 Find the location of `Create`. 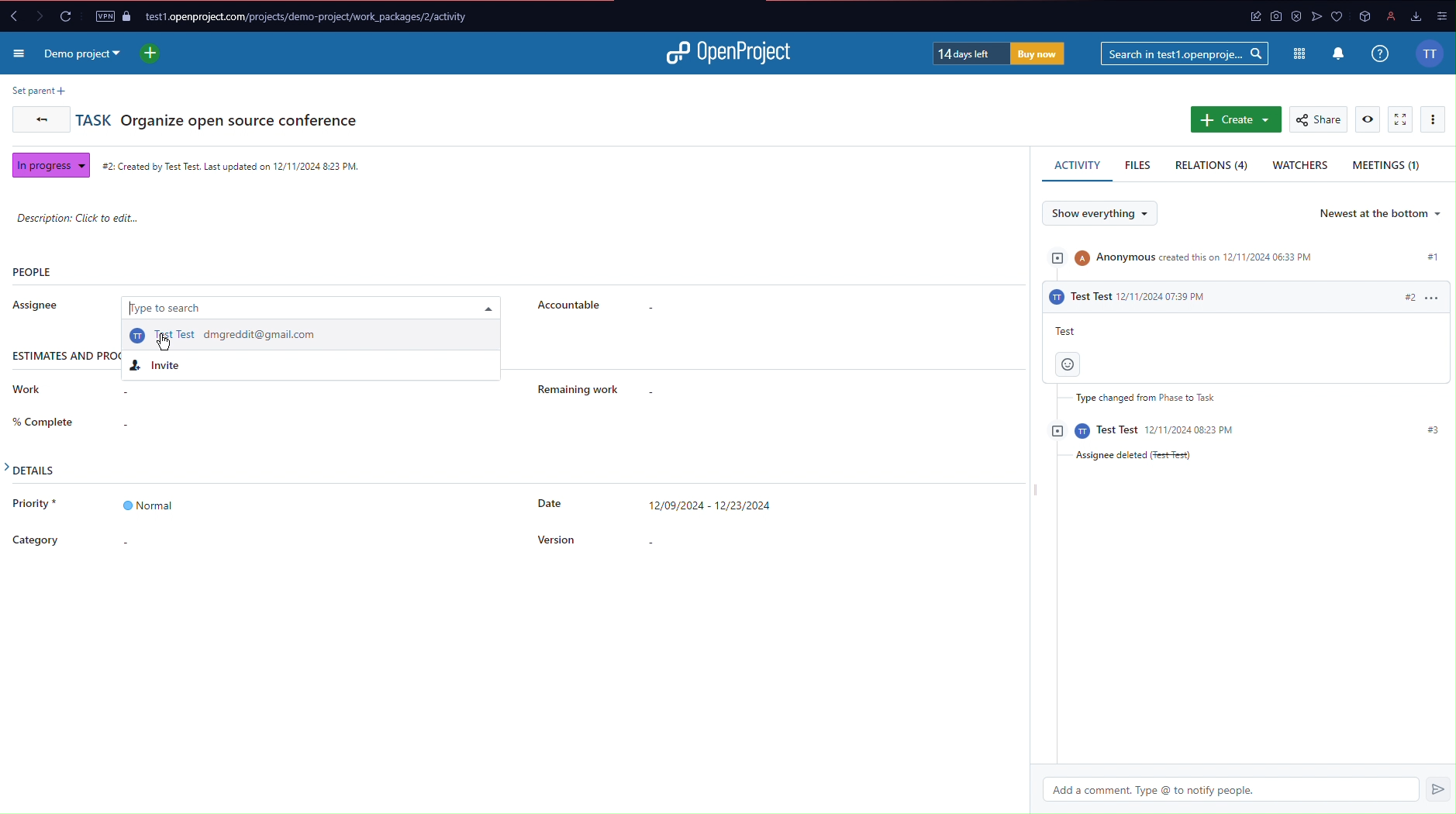

Create is located at coordinates (1233, 120).